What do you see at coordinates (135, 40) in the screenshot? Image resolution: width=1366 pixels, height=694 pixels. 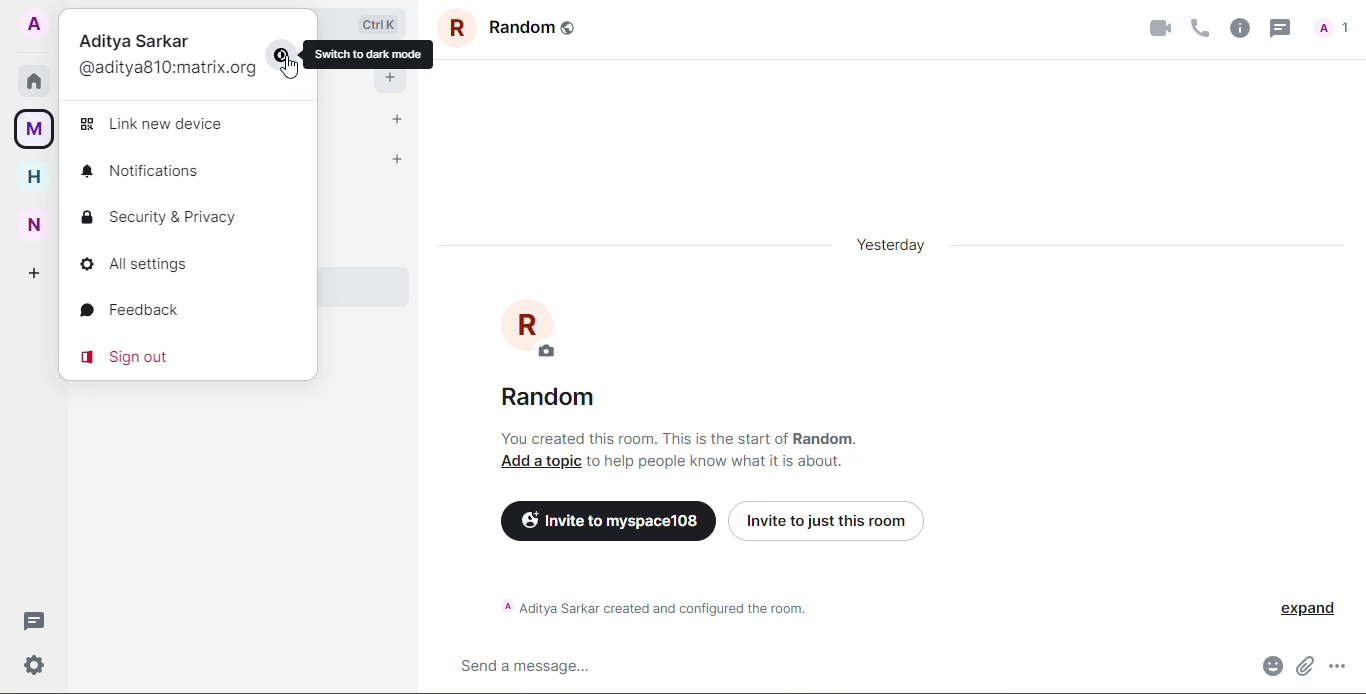 I see `profile` at bounding box center [135, 40].